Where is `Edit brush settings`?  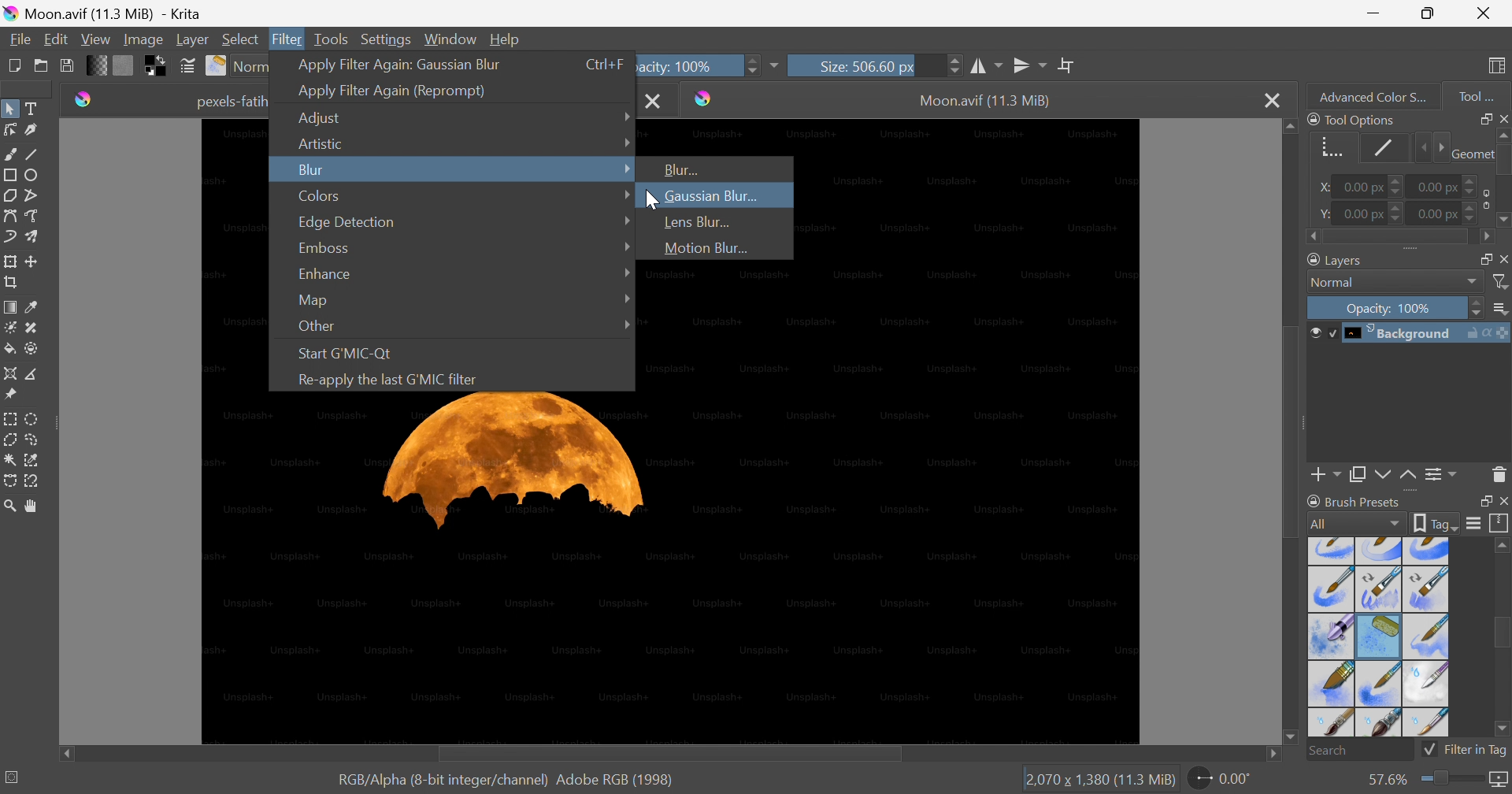
Edit brush settings is located at coordinates (185, 64).